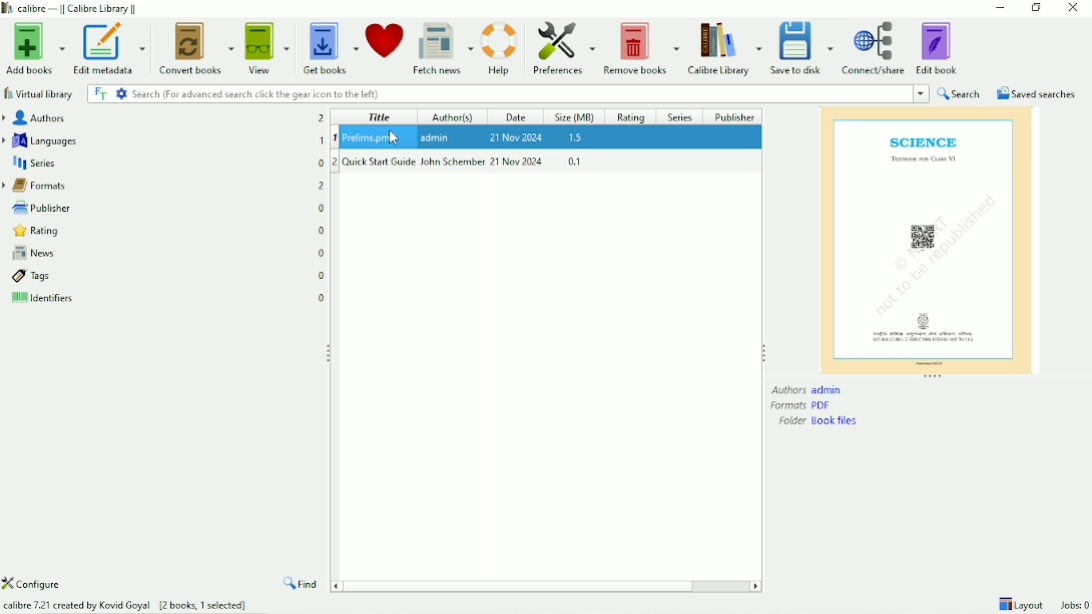 Image resolution: width=1092 pixels, height=614 pixels. What do you see at coordinates (640, 47) in the screenshot?
I see `Remove books` at bounding box center [640, 47].